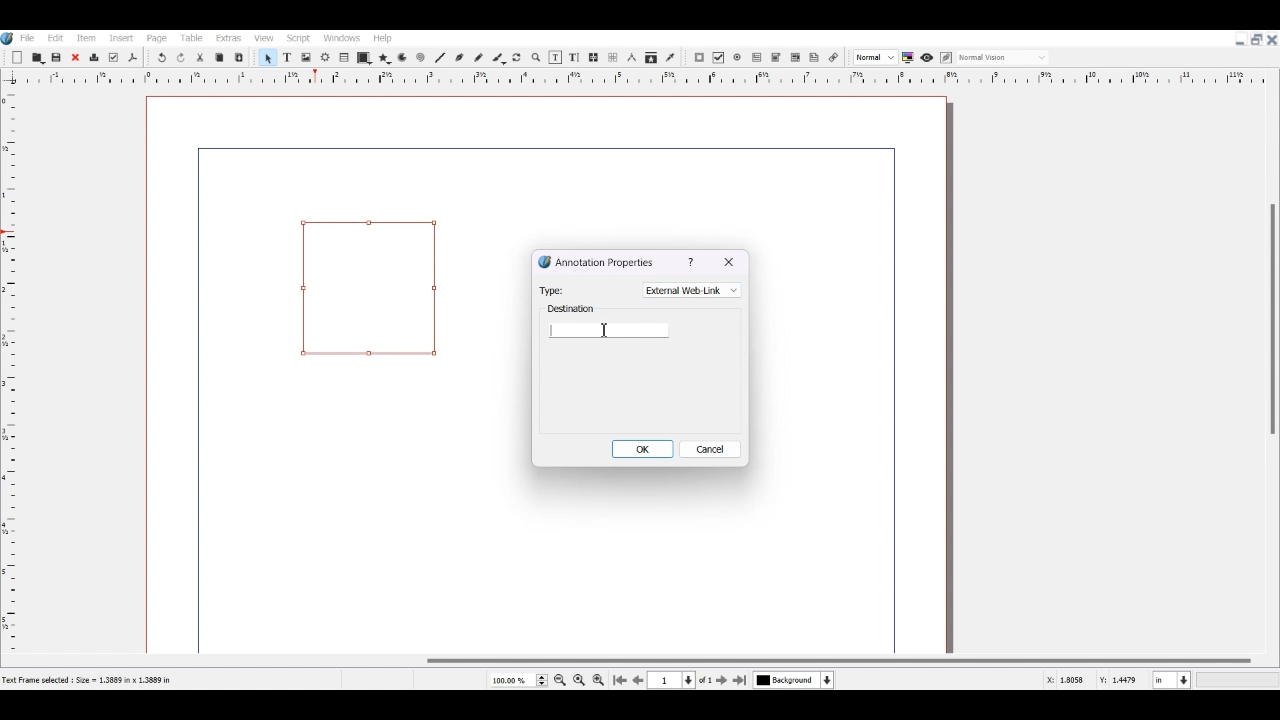 Image resolution: width=1280 pixels, height=720 pixels. I want to click on Line, so click(440, 57).